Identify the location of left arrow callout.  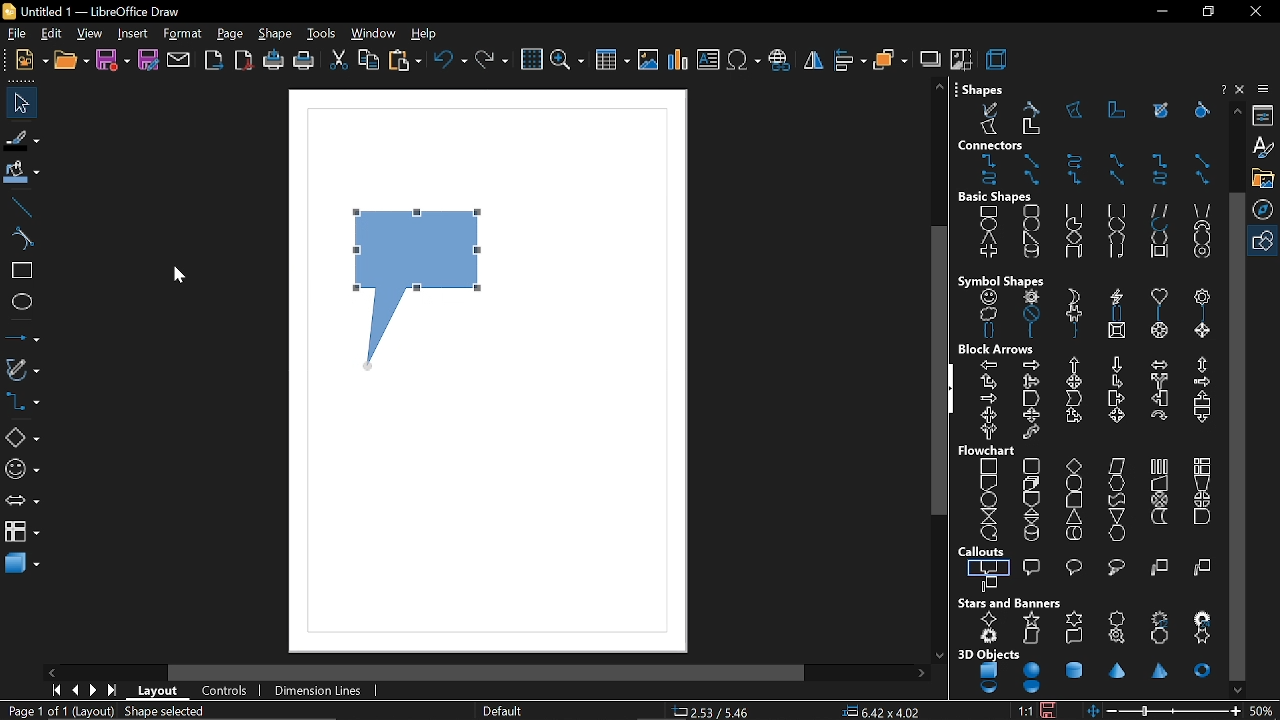
(1159, 398).